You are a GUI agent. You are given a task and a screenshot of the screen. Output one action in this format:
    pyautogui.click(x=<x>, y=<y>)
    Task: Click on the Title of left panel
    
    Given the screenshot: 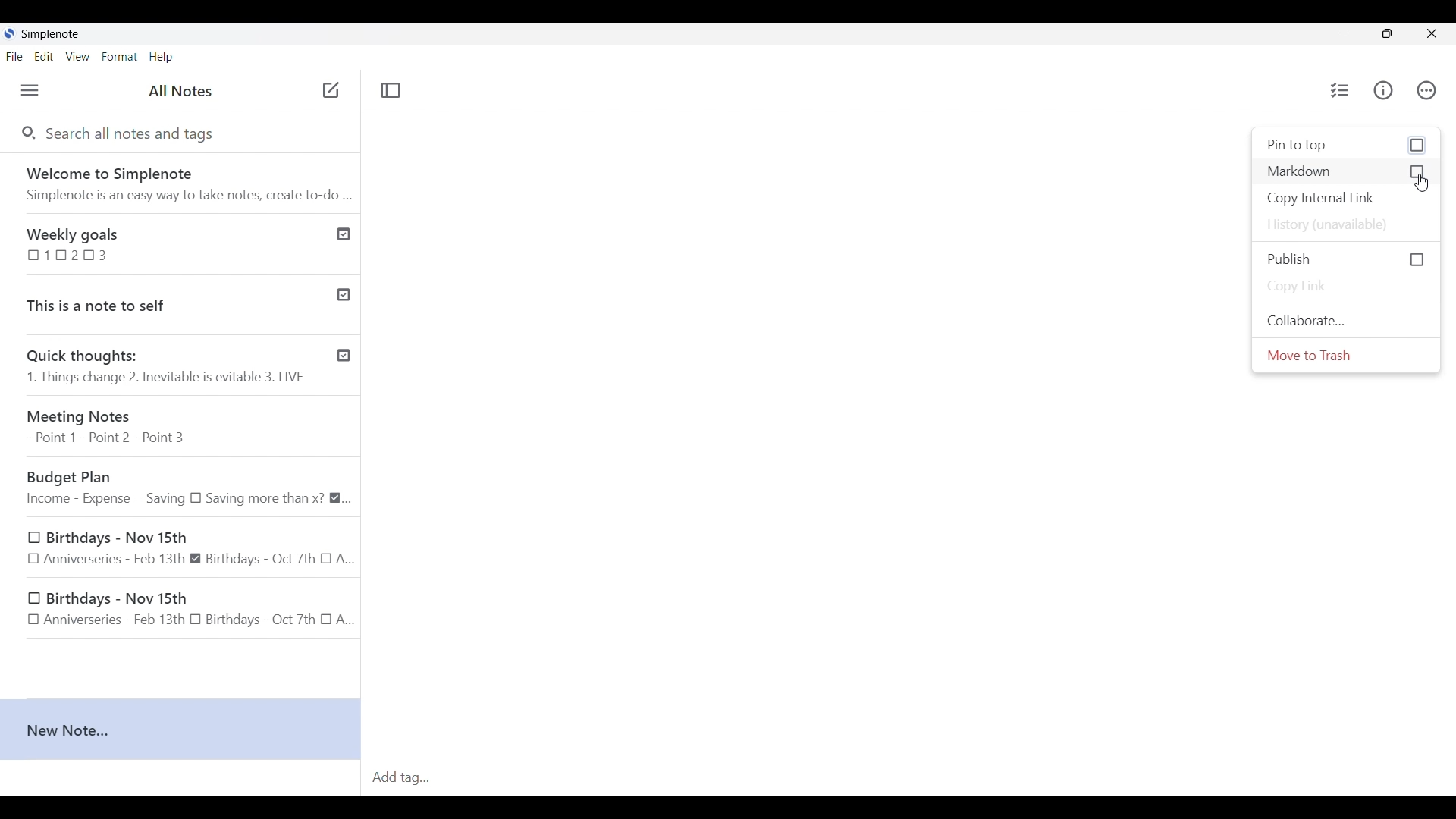 What is the action you would take?
    pyautogui.click(x=180, y=90)
    